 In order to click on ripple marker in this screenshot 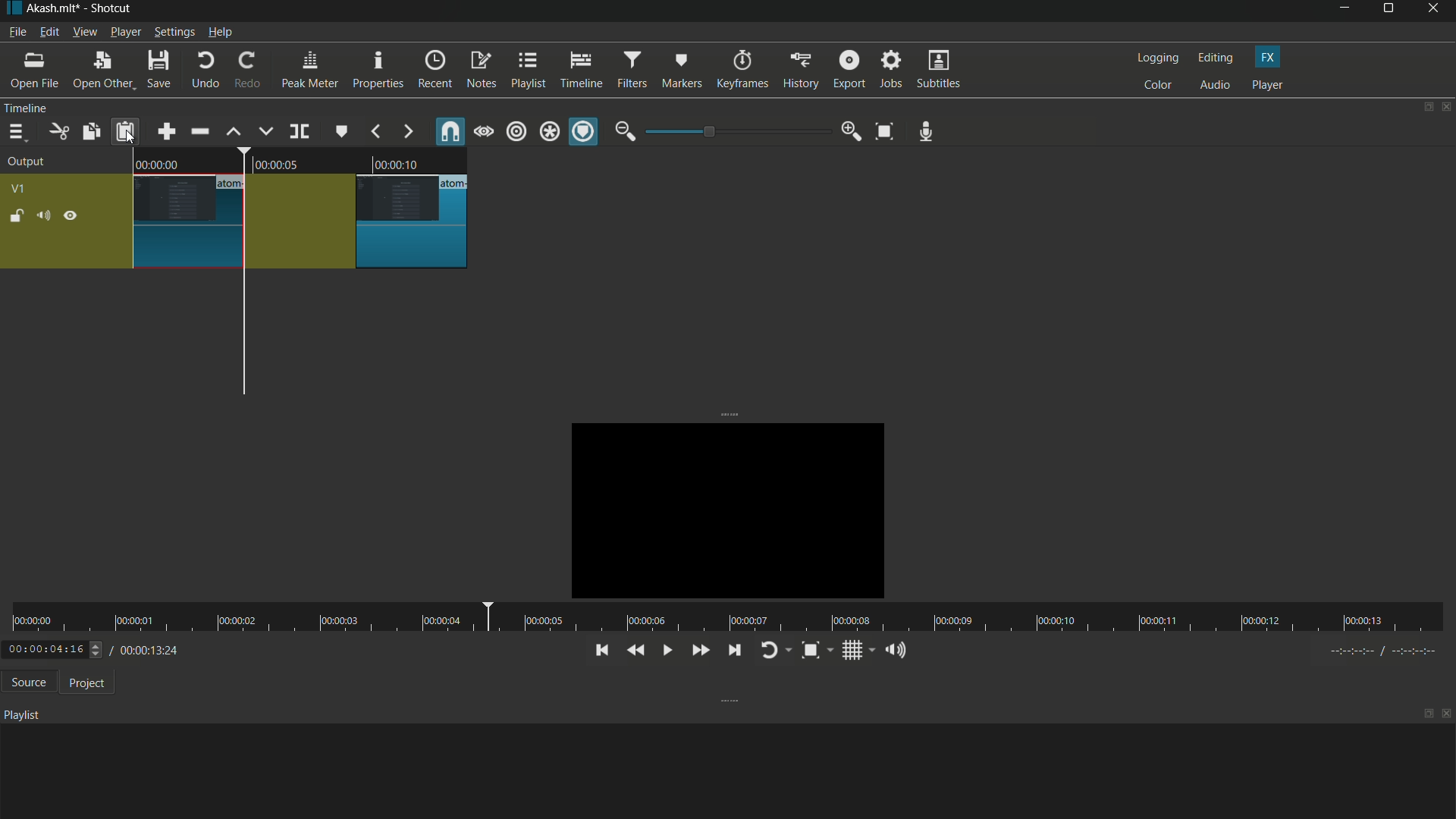, I will do `click(583, 132)`.